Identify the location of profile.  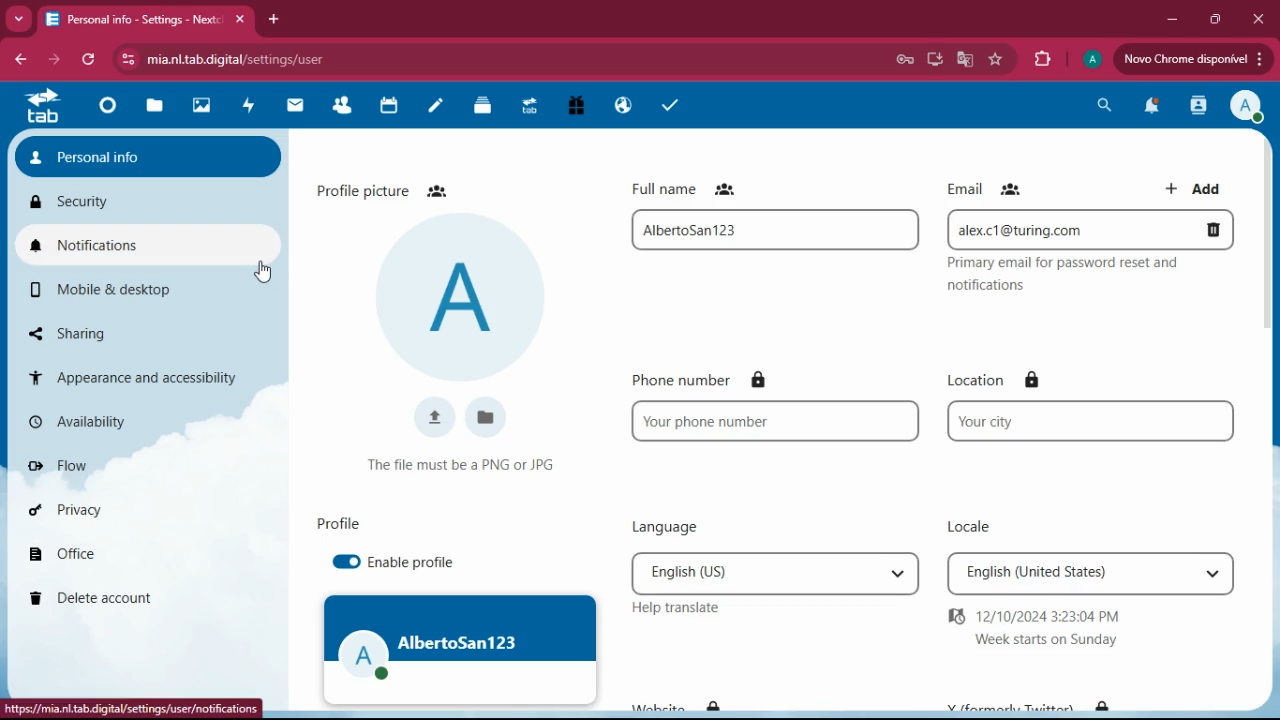
(1092, 62).